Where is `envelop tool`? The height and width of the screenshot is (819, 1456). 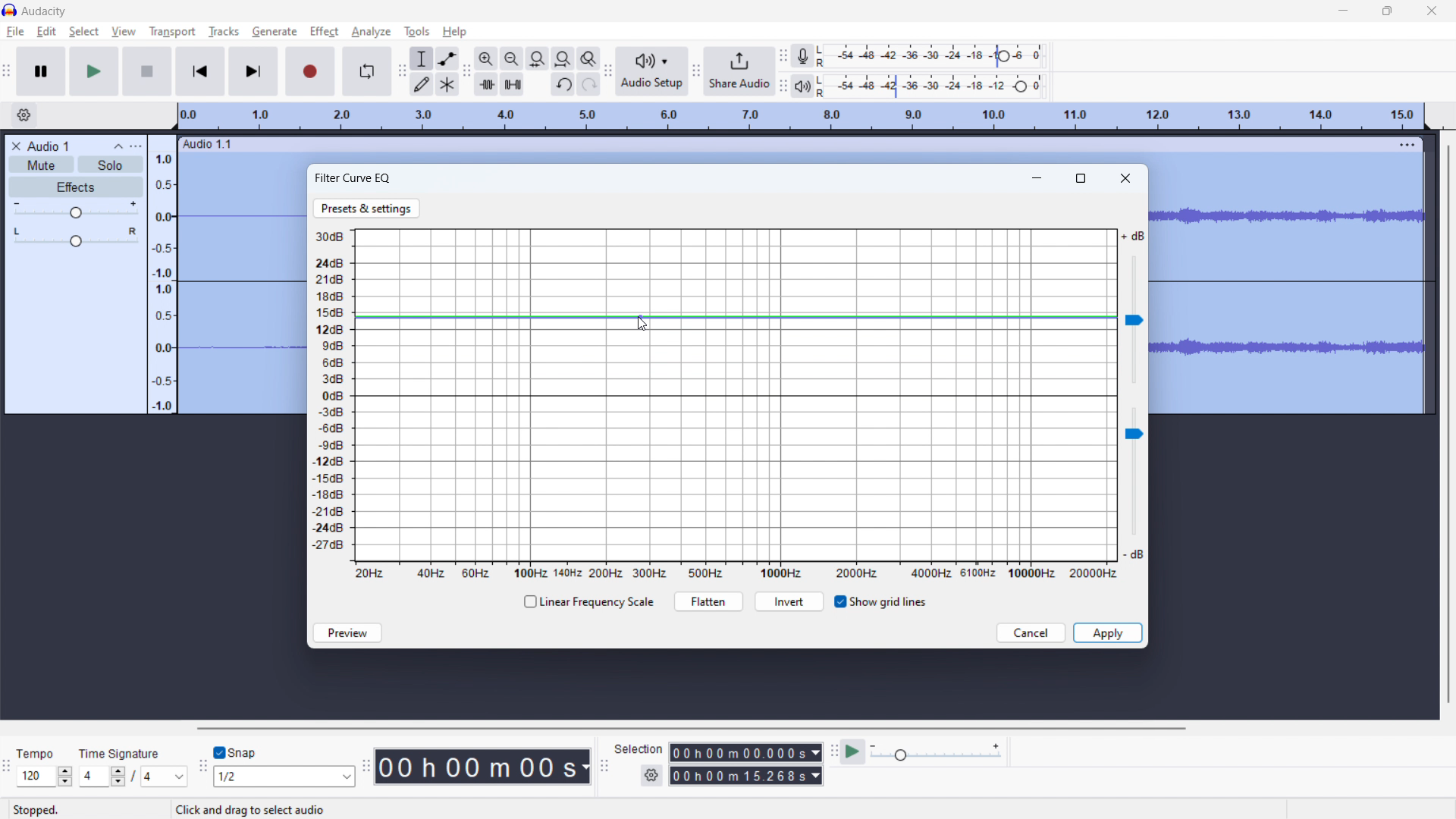
envelop tool is located at coordinates (447, 58).